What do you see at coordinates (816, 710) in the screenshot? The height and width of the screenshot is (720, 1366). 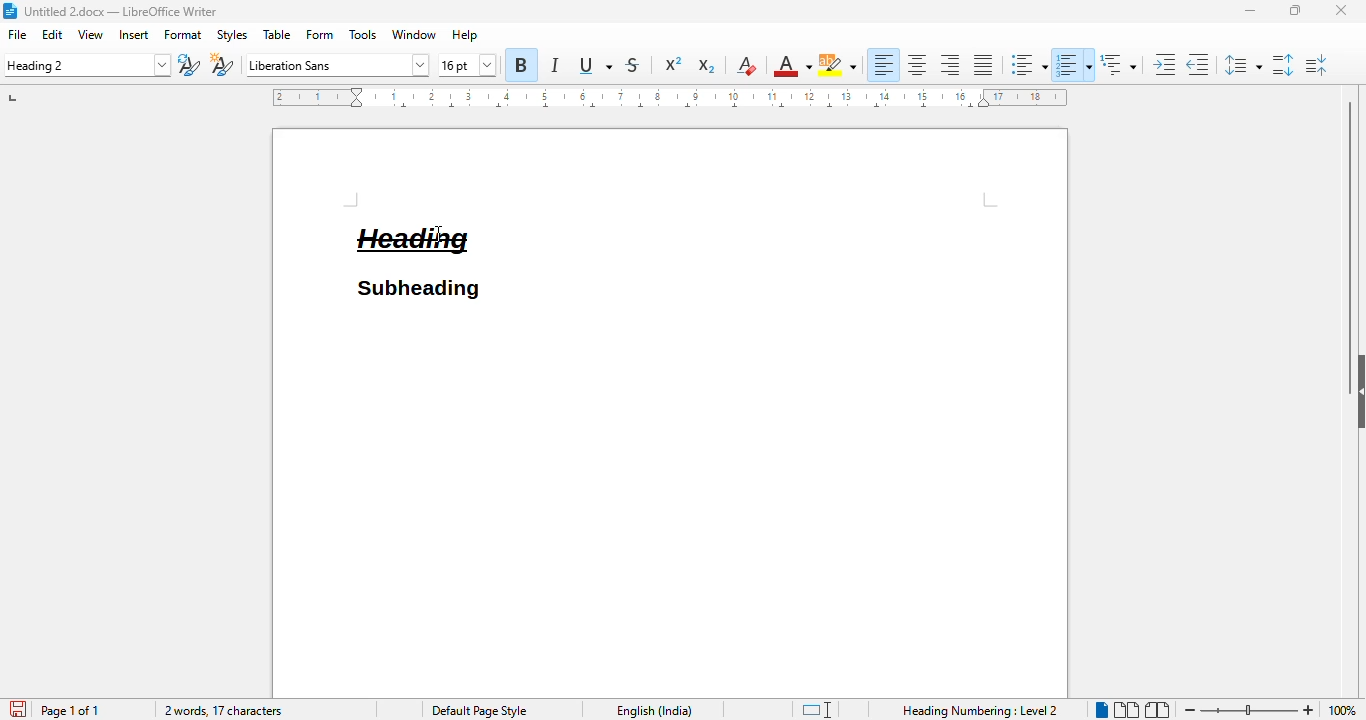 I see `standard selection` at bounding box center [816, 710].